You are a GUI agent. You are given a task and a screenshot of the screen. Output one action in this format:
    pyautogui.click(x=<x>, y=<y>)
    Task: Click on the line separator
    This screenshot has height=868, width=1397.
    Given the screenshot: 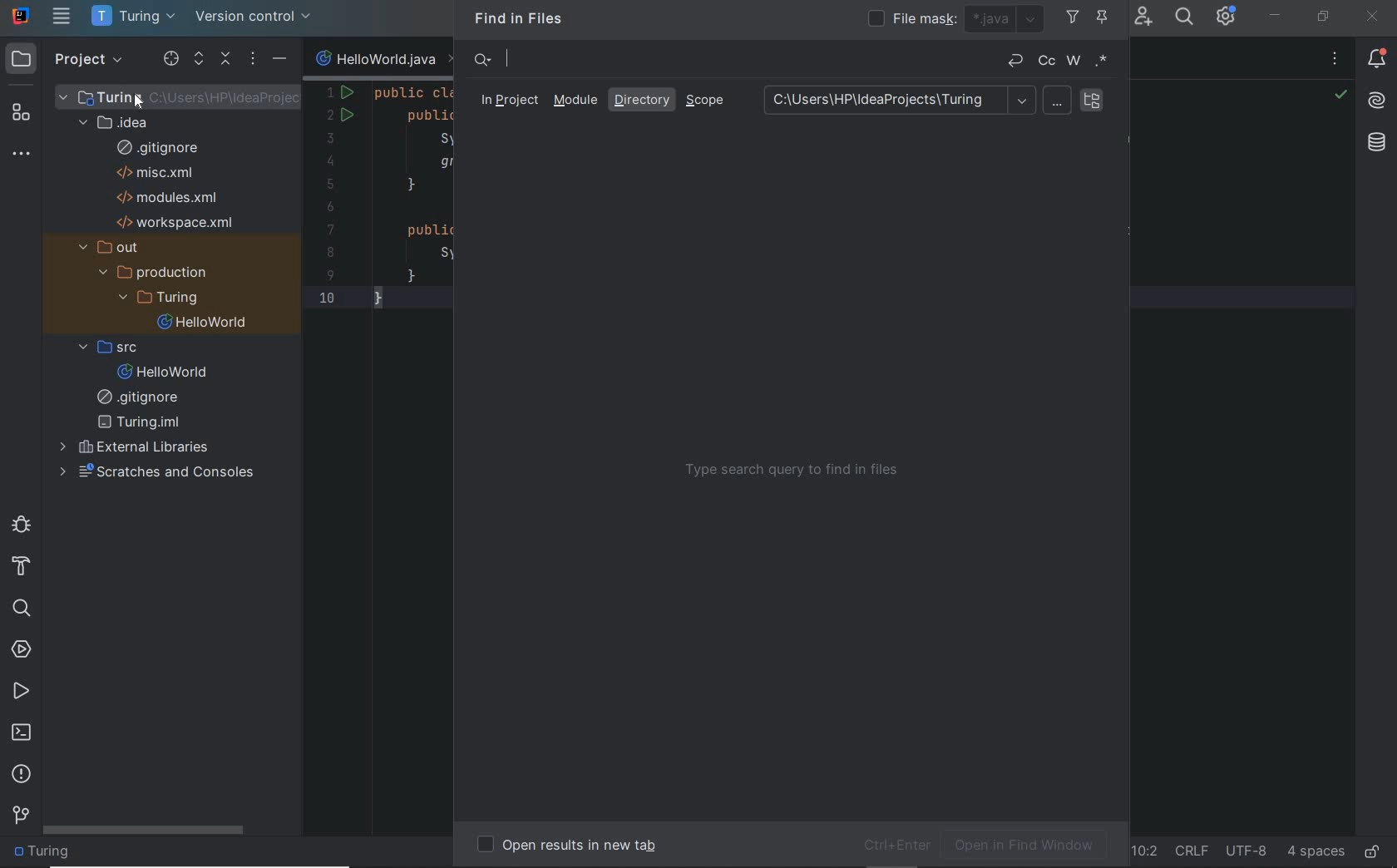 What is the action you would take?
    pyautogui.click(x=1194, y=851)
    